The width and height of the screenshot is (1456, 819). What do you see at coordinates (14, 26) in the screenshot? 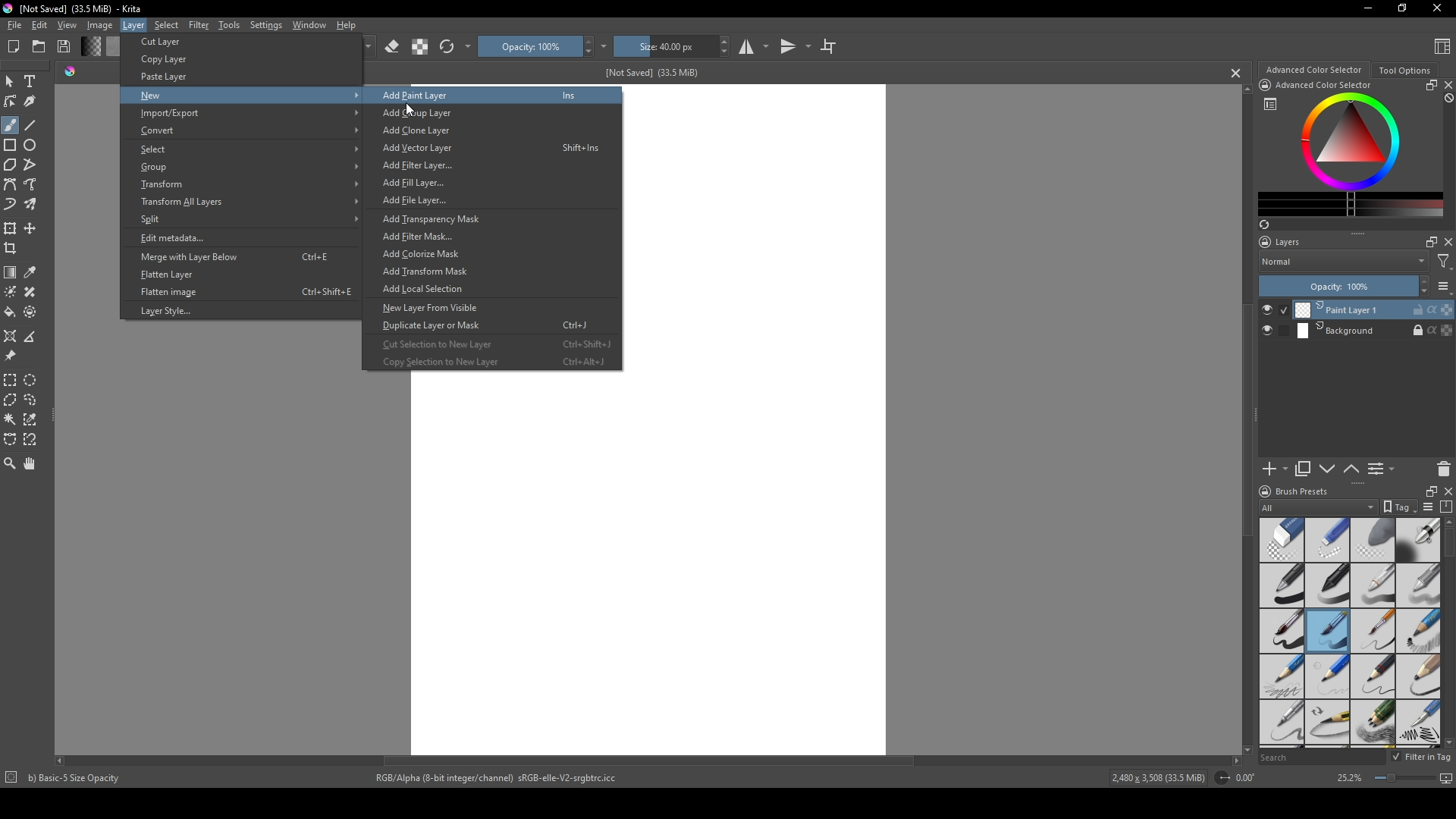
I see `file` at bounding box center [14, 26].